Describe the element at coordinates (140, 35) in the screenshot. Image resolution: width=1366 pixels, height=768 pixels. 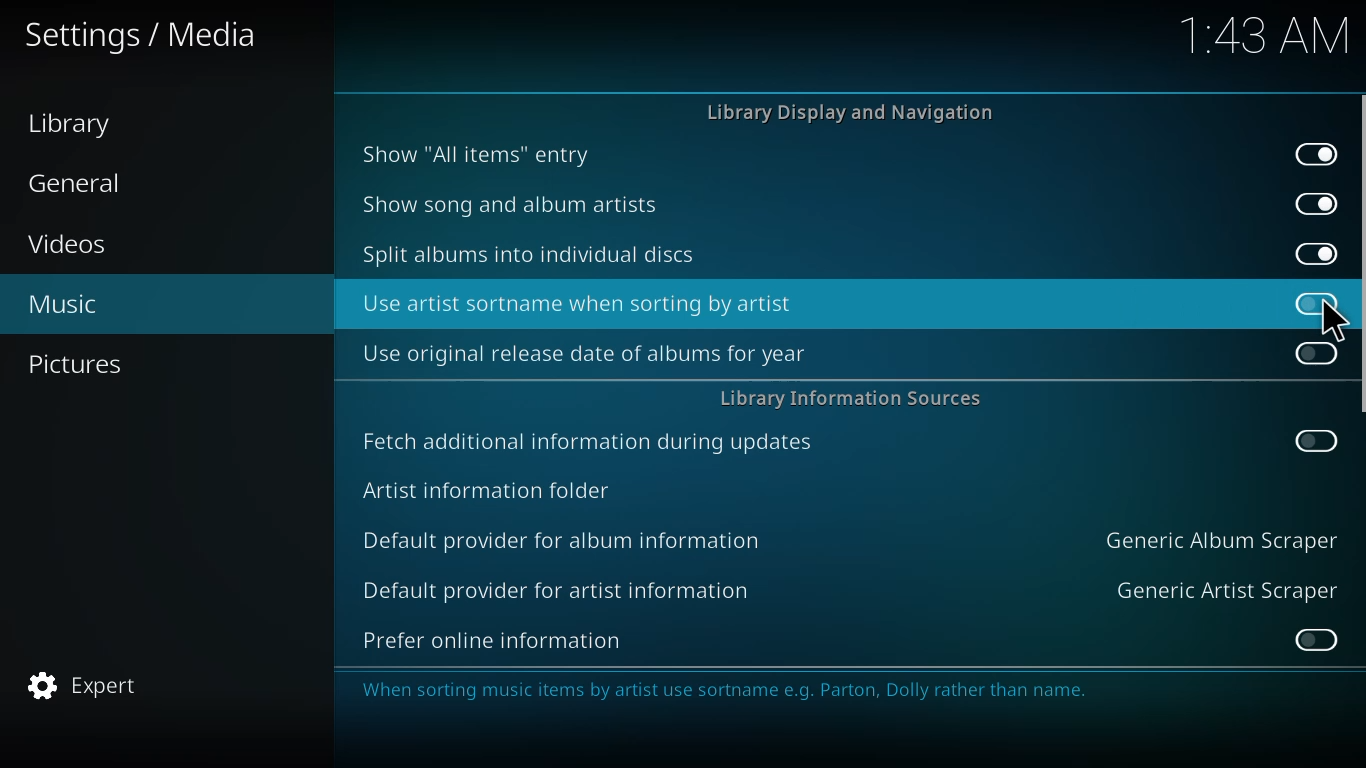
I see `media` at that location.